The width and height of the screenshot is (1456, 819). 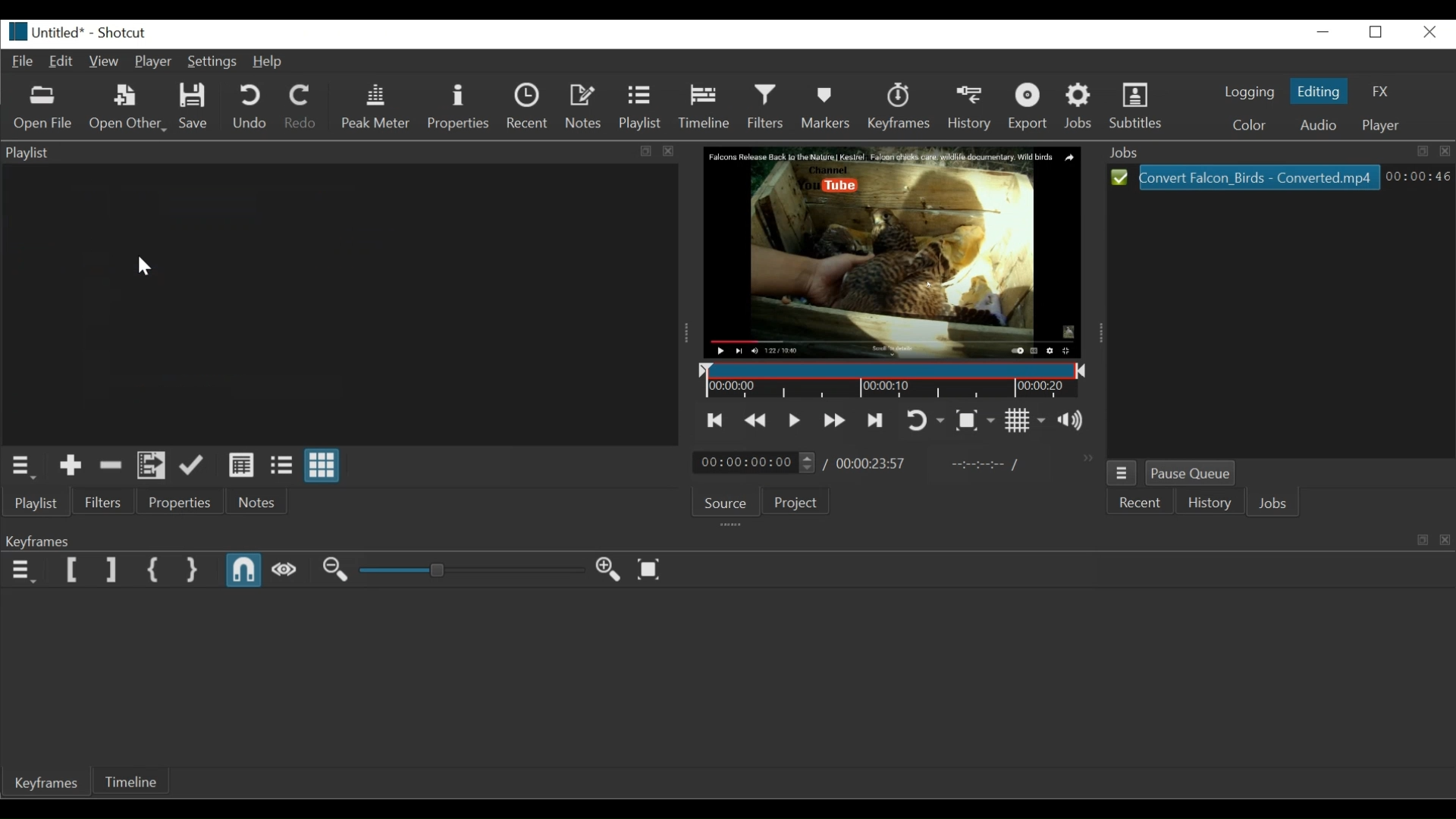 What do you see at coordinates (1245, 94) in the screenshot?
I see `Logging` at bounding box center [1245, 94].